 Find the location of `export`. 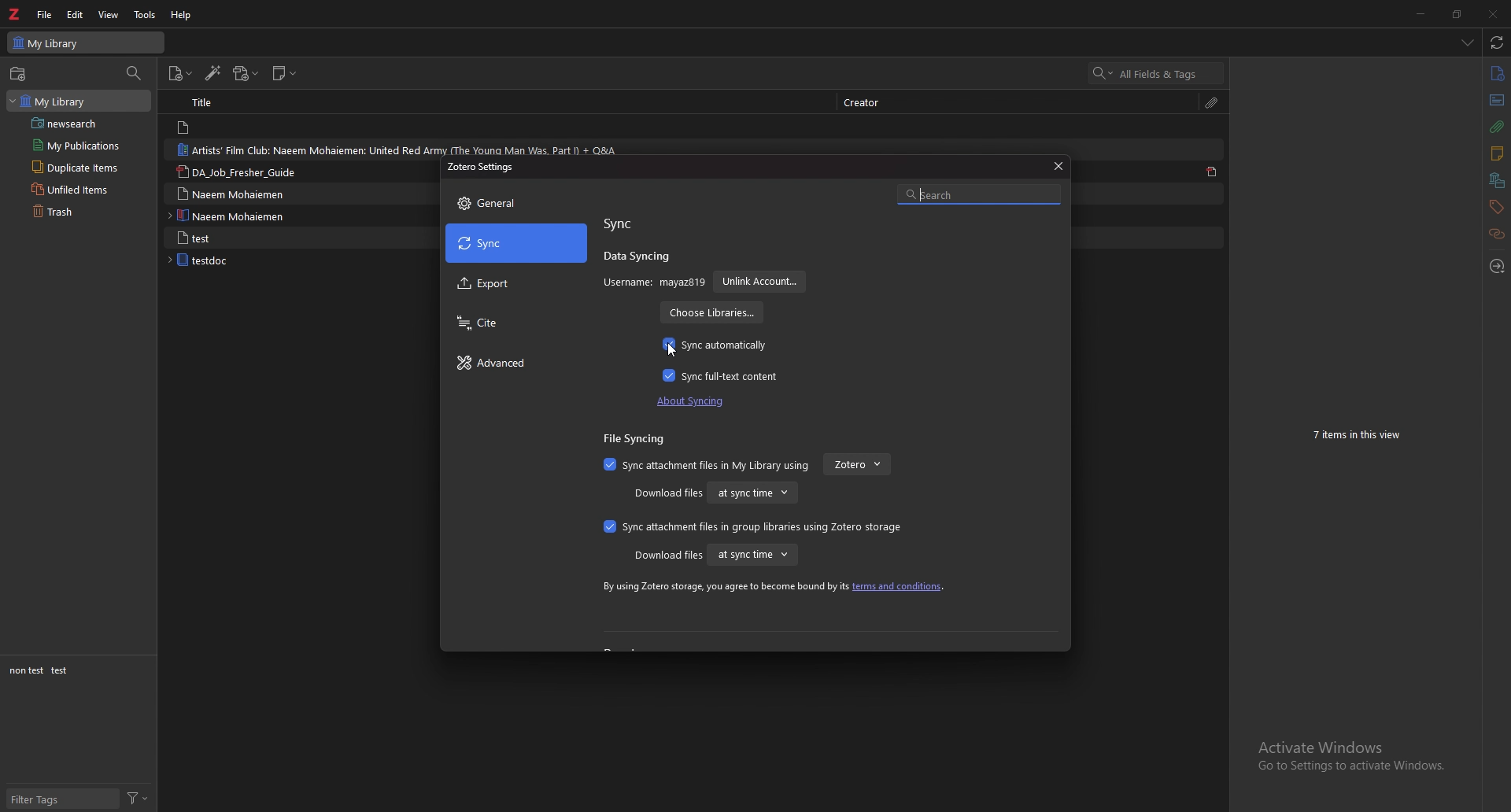

export is located at coordinates (516, 285).